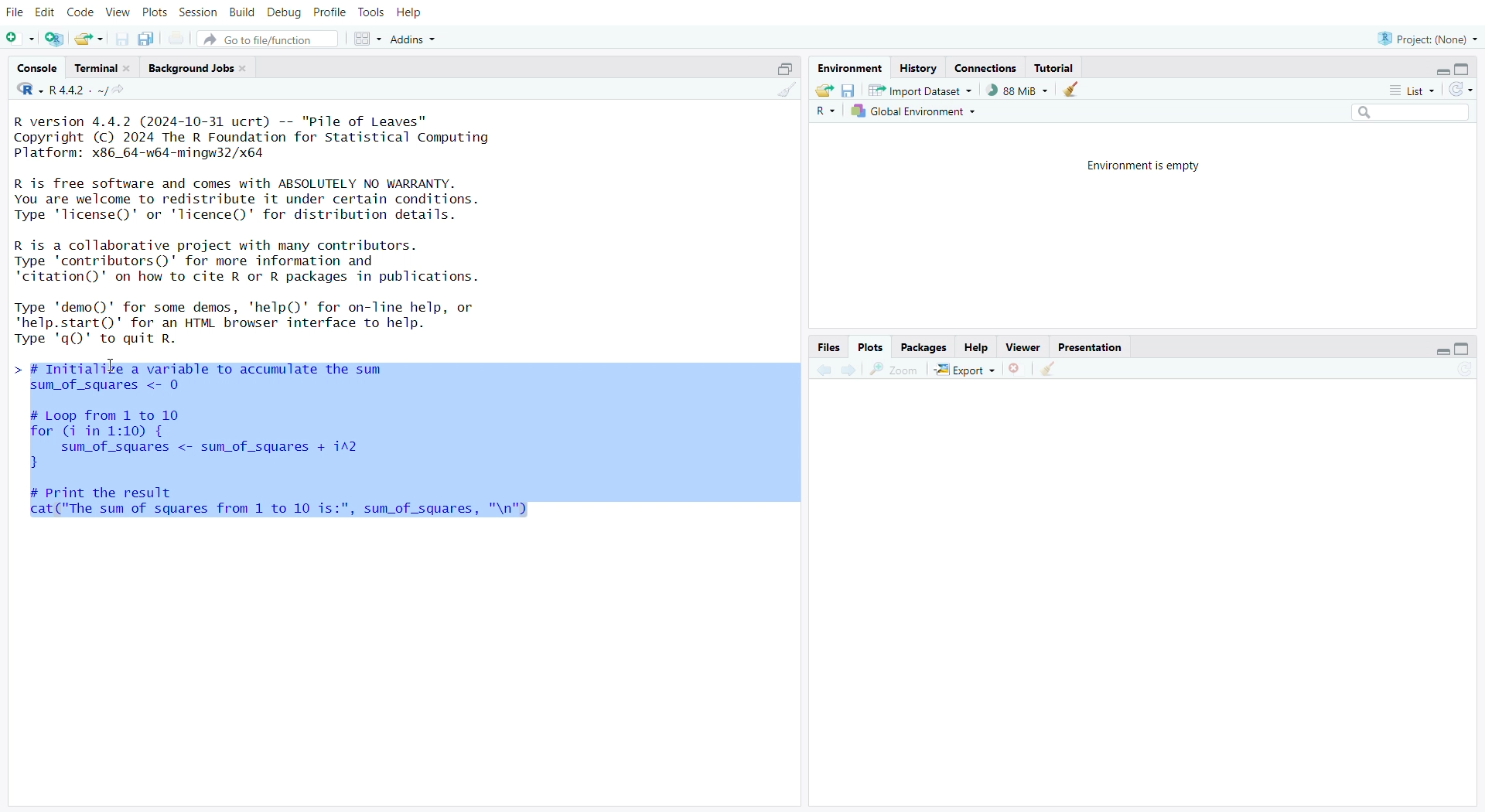 The height and width of the screenshot is (812, 1485). I want to click on viewer, so click(1025, 346).